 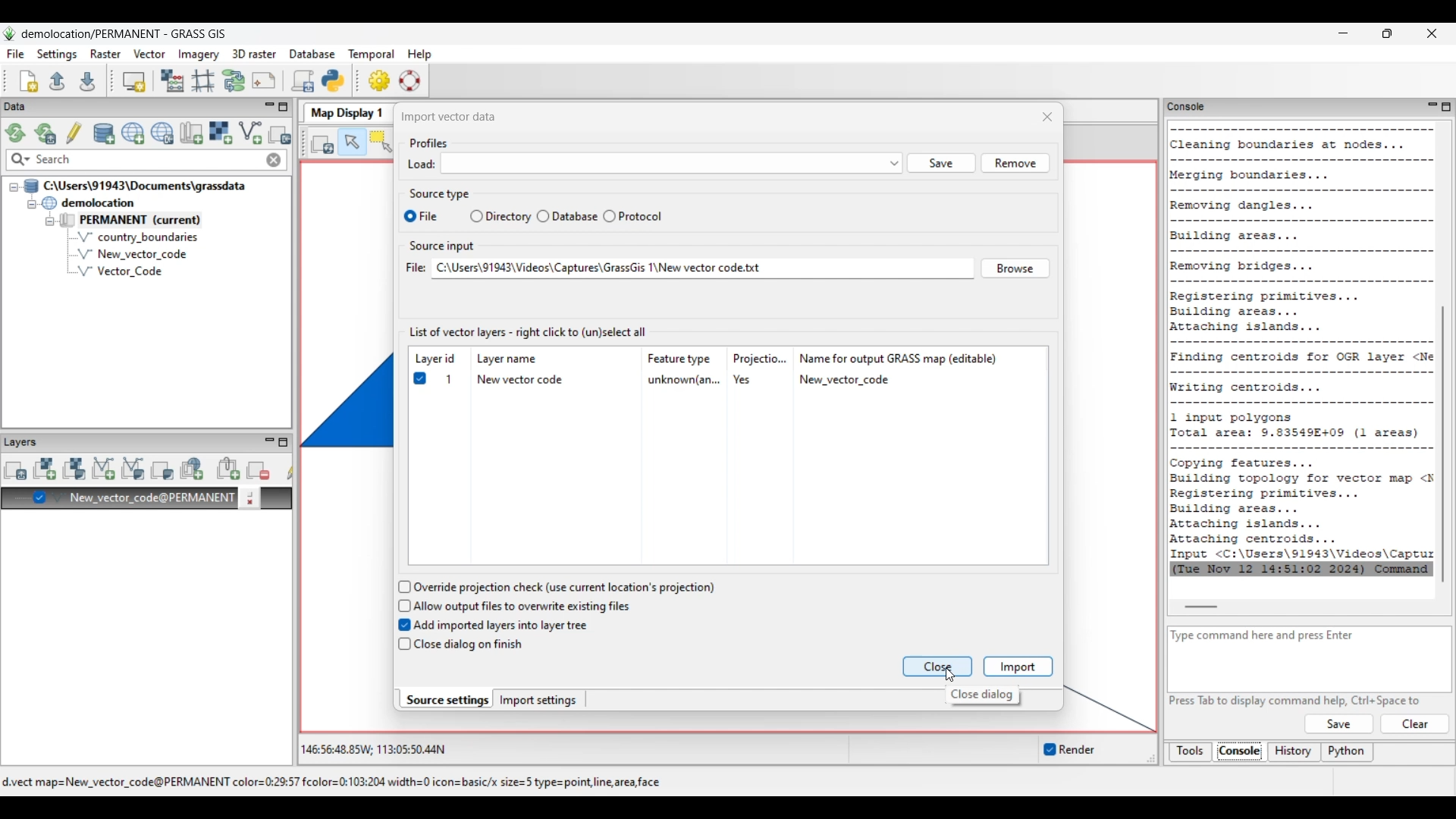 What do you see at coordinates (279, 134) in the screenshot?
I see `Select another import option` at bounding box center [279, 134].